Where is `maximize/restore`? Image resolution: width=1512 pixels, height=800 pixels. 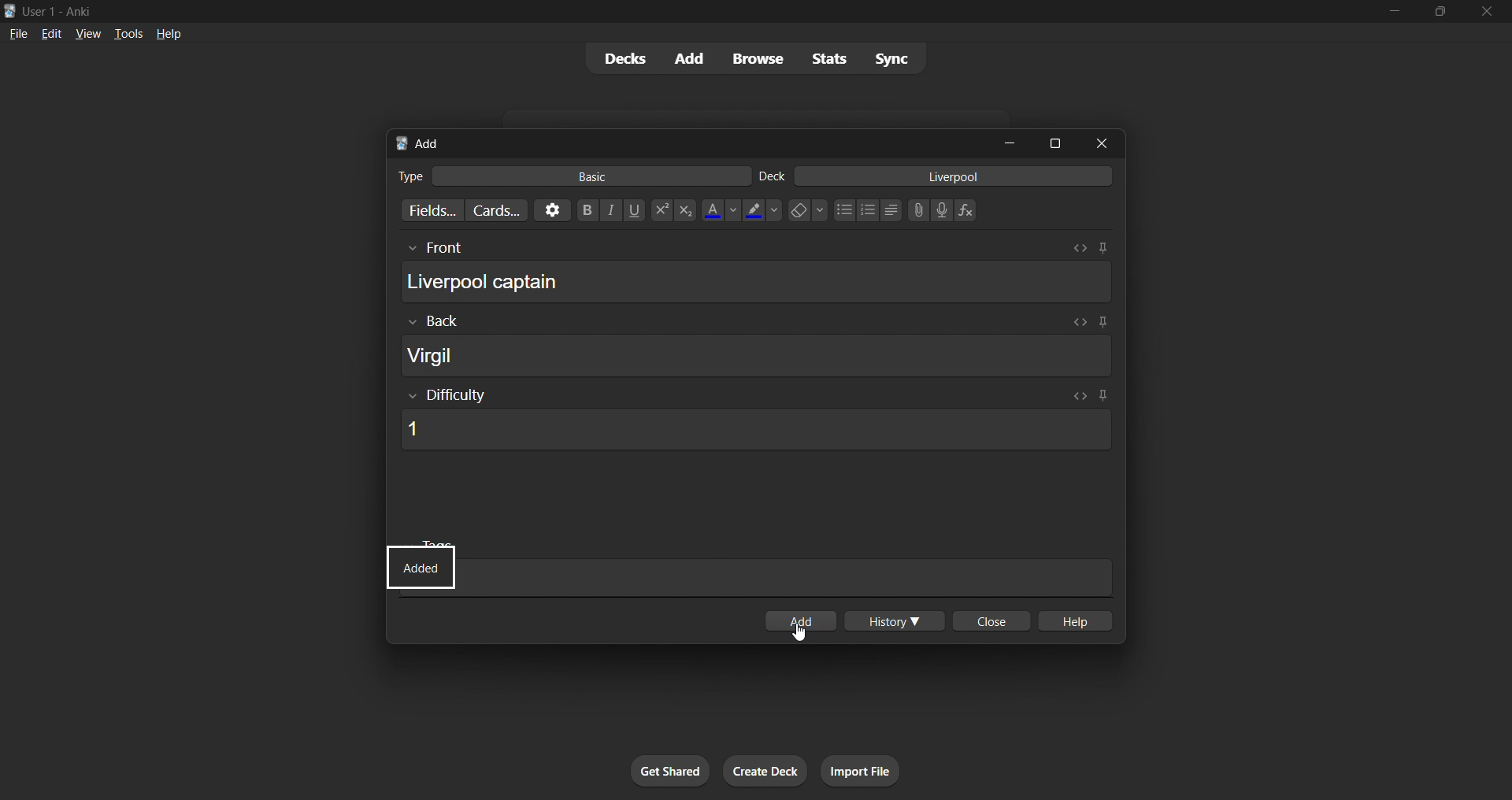
maximize/restore is located at coordinates (1440, 12).